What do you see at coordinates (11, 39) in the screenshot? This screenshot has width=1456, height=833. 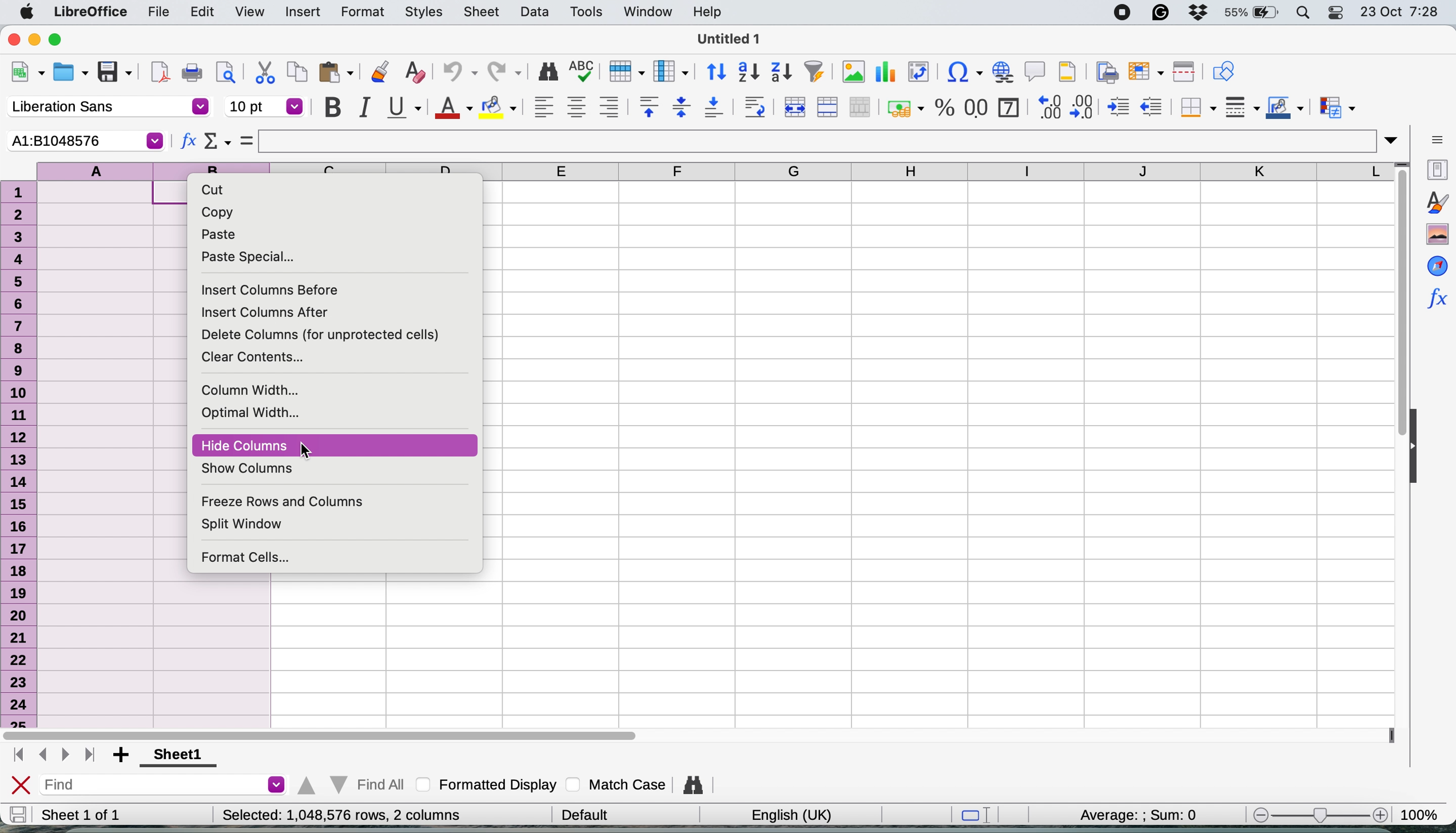 I see `close` at bounding box center [11, 39].